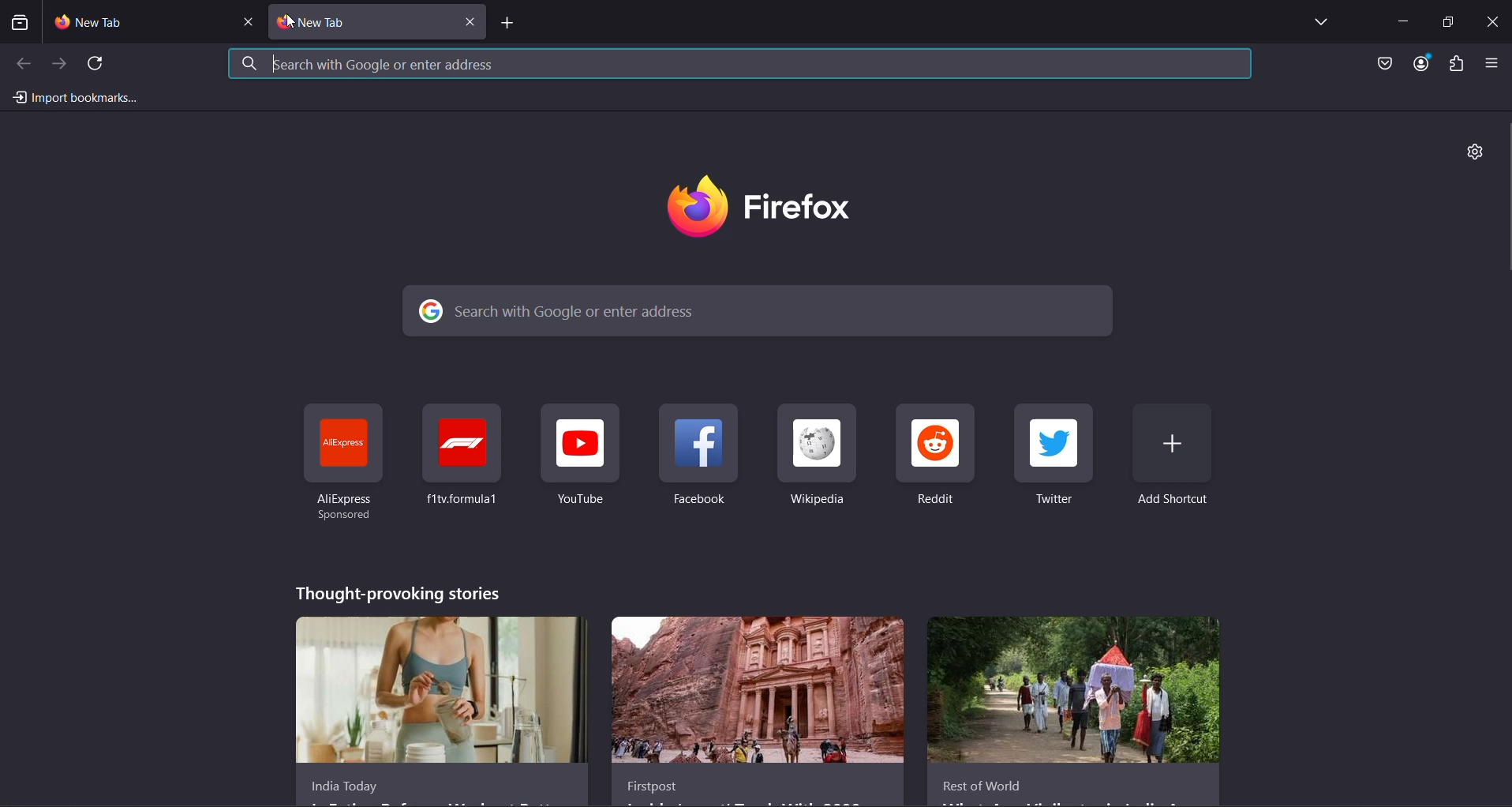 The width and height of the screenshot is (1512, 807). What do you see at coordinates (471, 22) in the screenshot?
I see `close tab` at bounding box center [471, 22].